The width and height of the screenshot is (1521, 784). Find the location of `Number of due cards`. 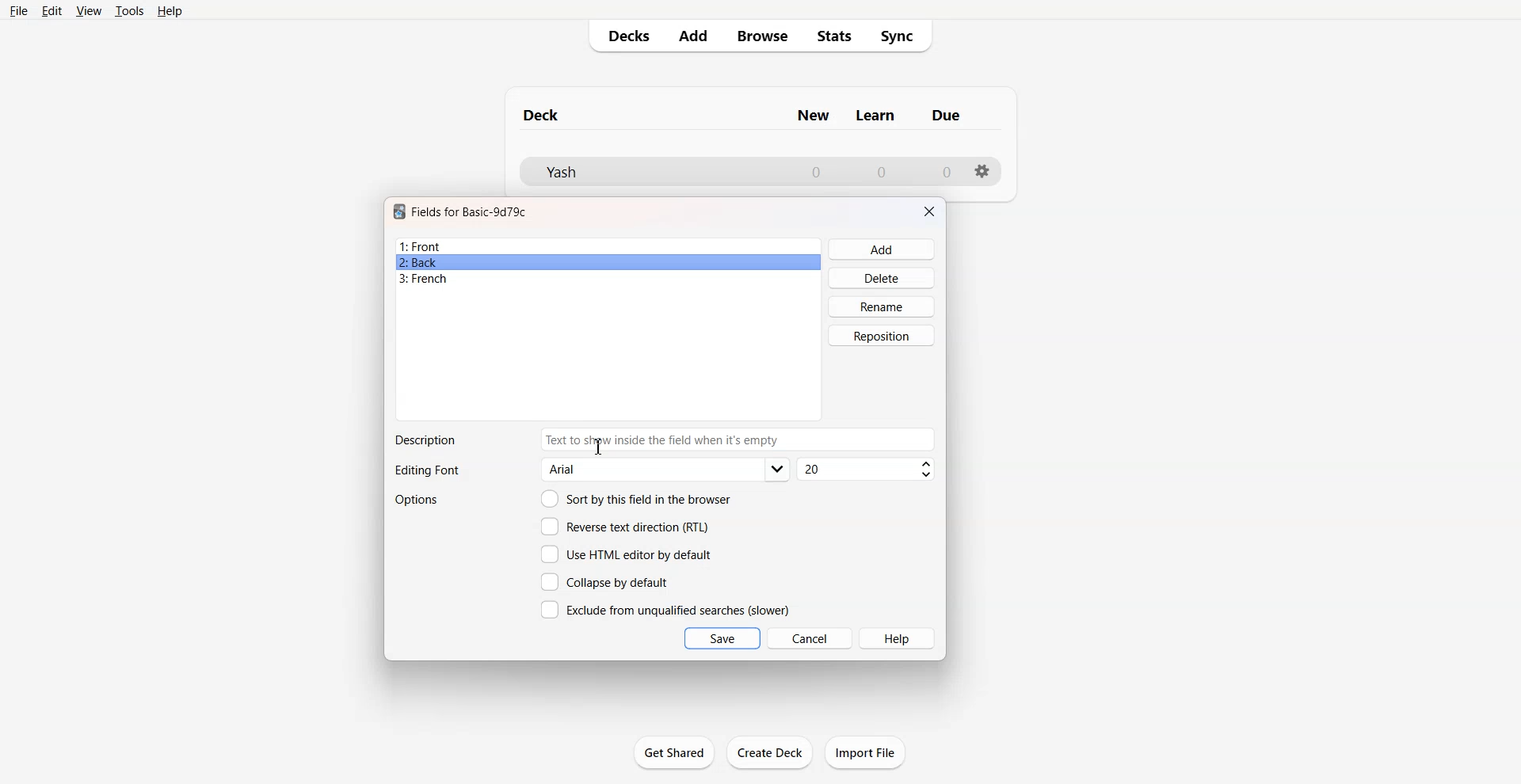

Number of due cards is located at coordinates (947, 172).